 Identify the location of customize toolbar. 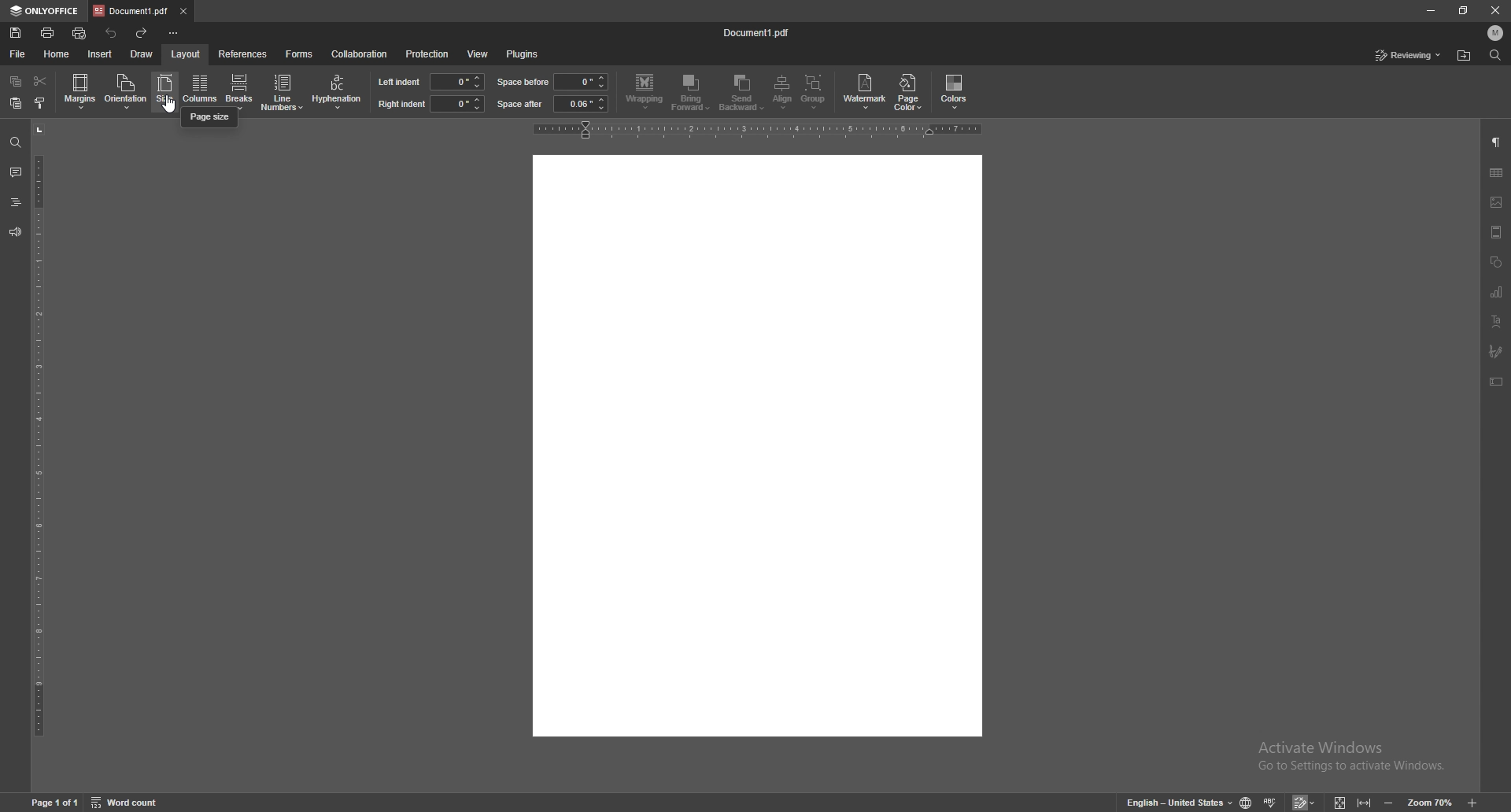
(173, 33).